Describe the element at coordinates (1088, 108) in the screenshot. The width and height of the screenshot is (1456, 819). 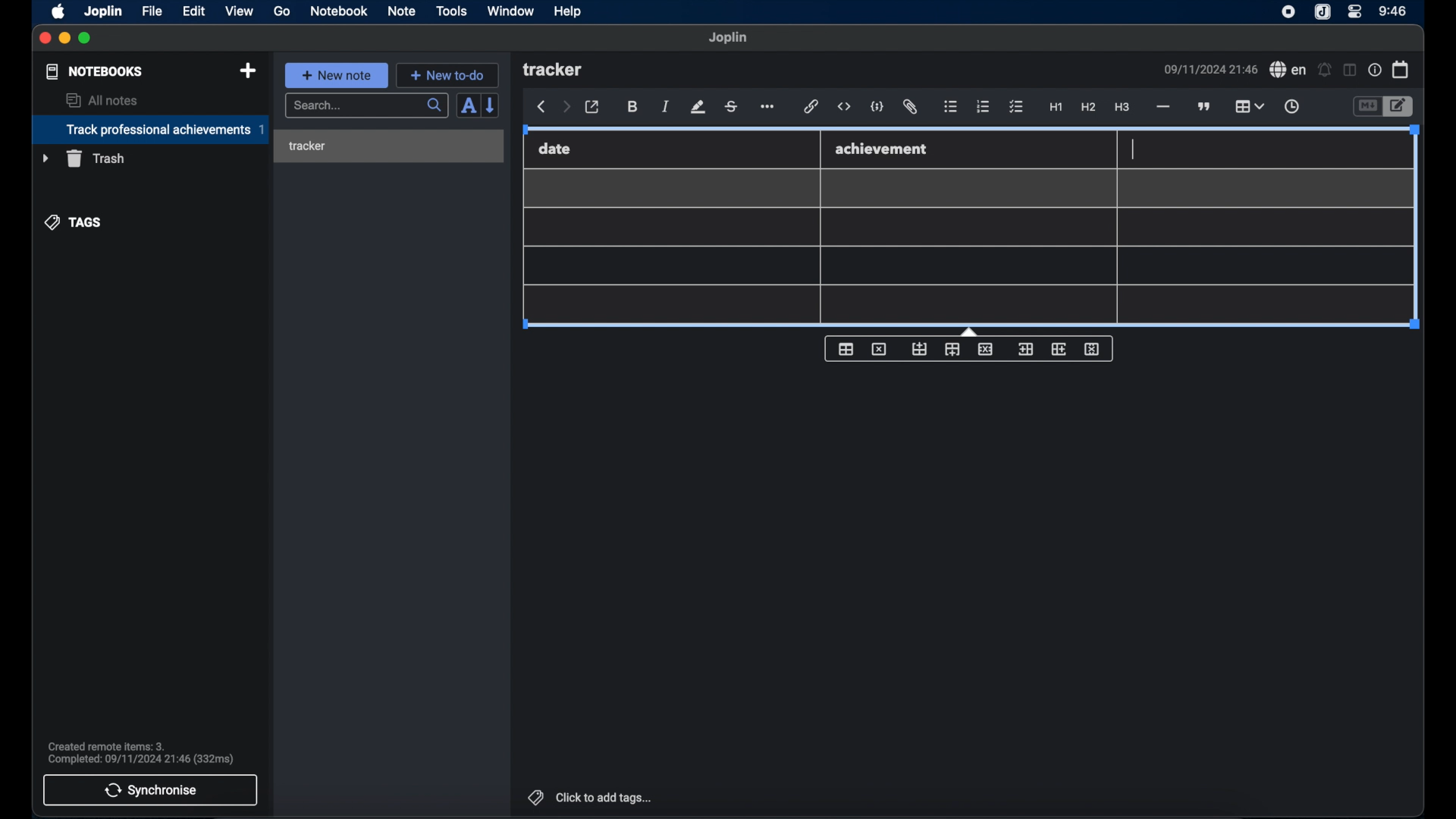
I see `heading 2` at that location.